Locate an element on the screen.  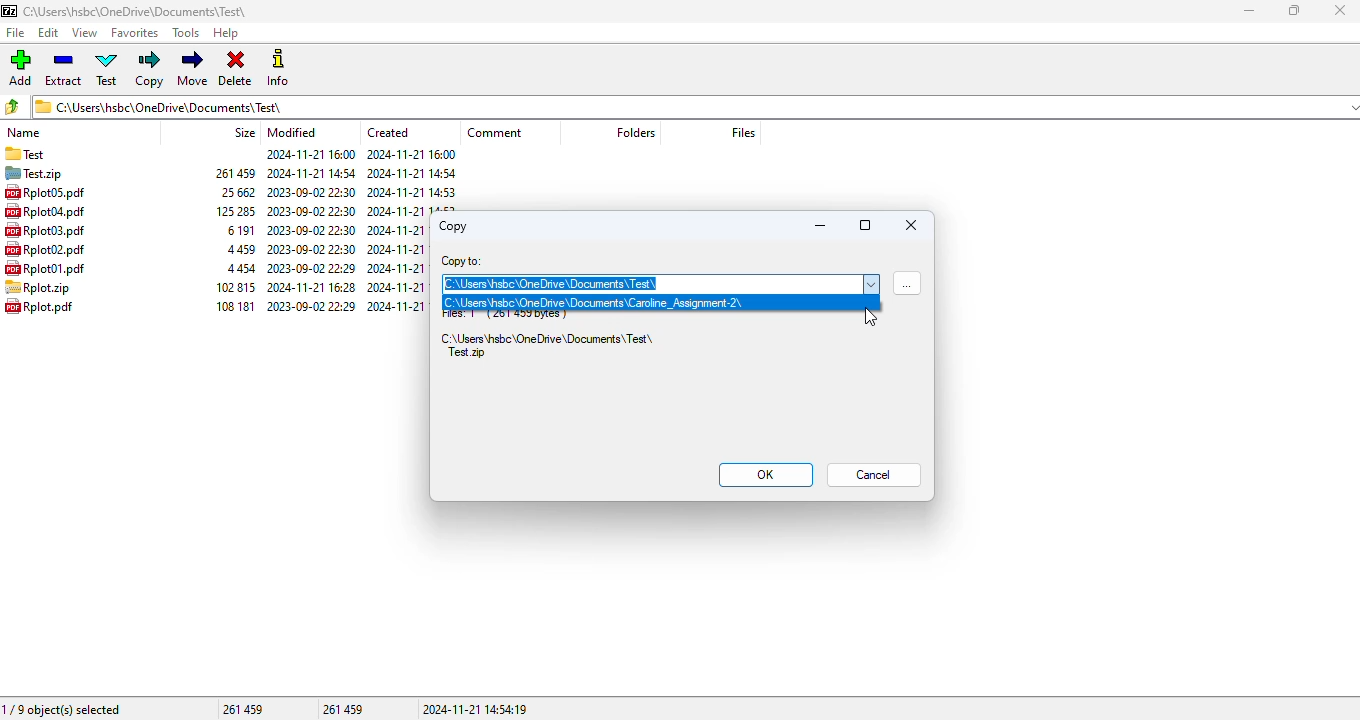
edit is located at coordinates (48, 32).